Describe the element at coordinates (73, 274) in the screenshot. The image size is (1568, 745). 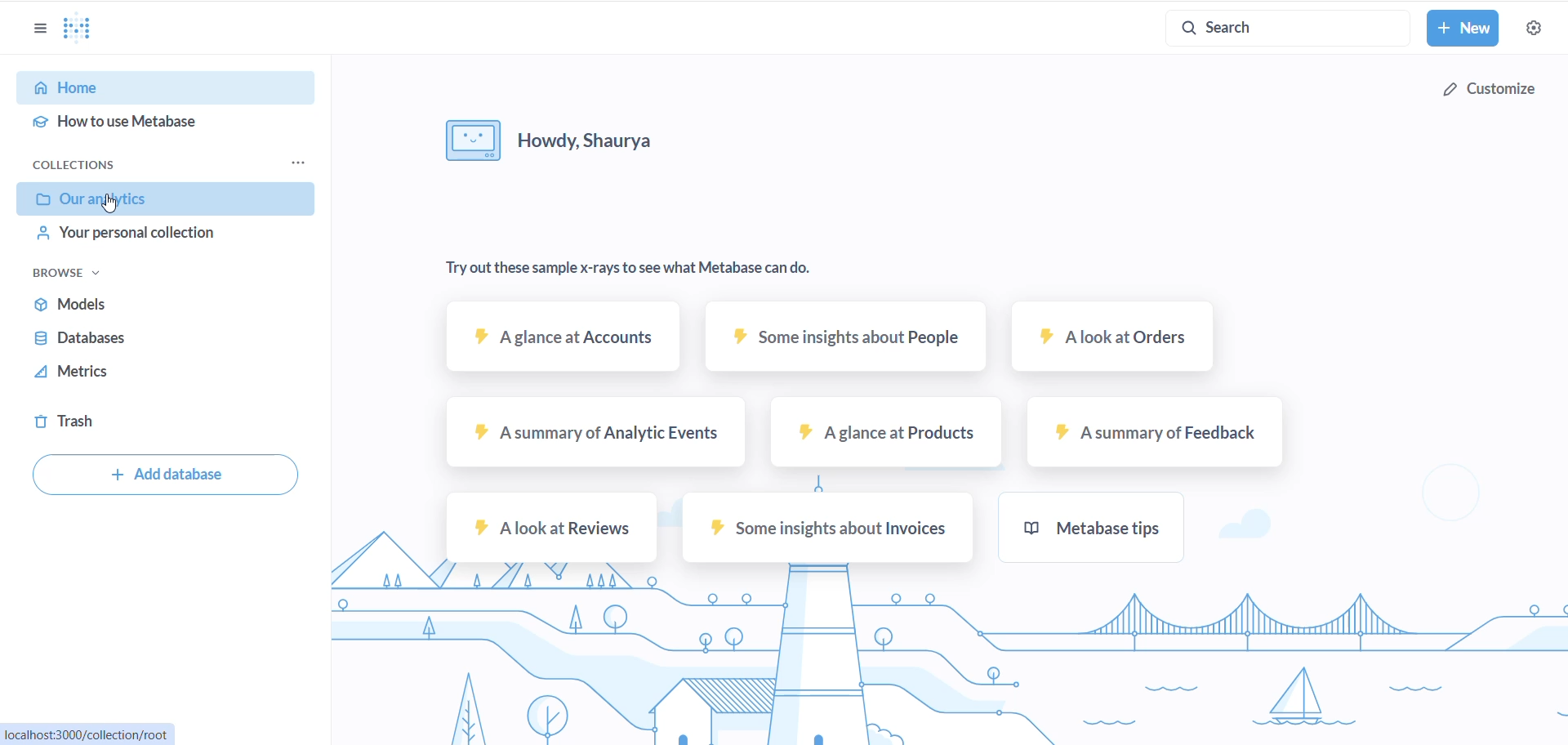
I see `browse` at that location.